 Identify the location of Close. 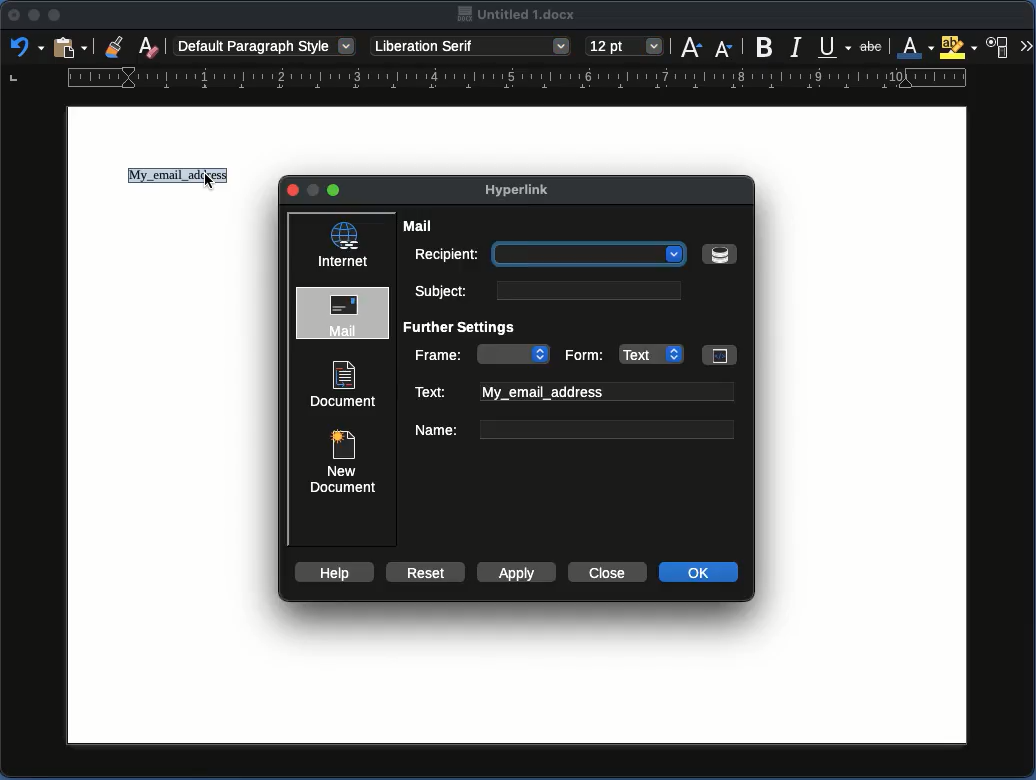
(605, 572).